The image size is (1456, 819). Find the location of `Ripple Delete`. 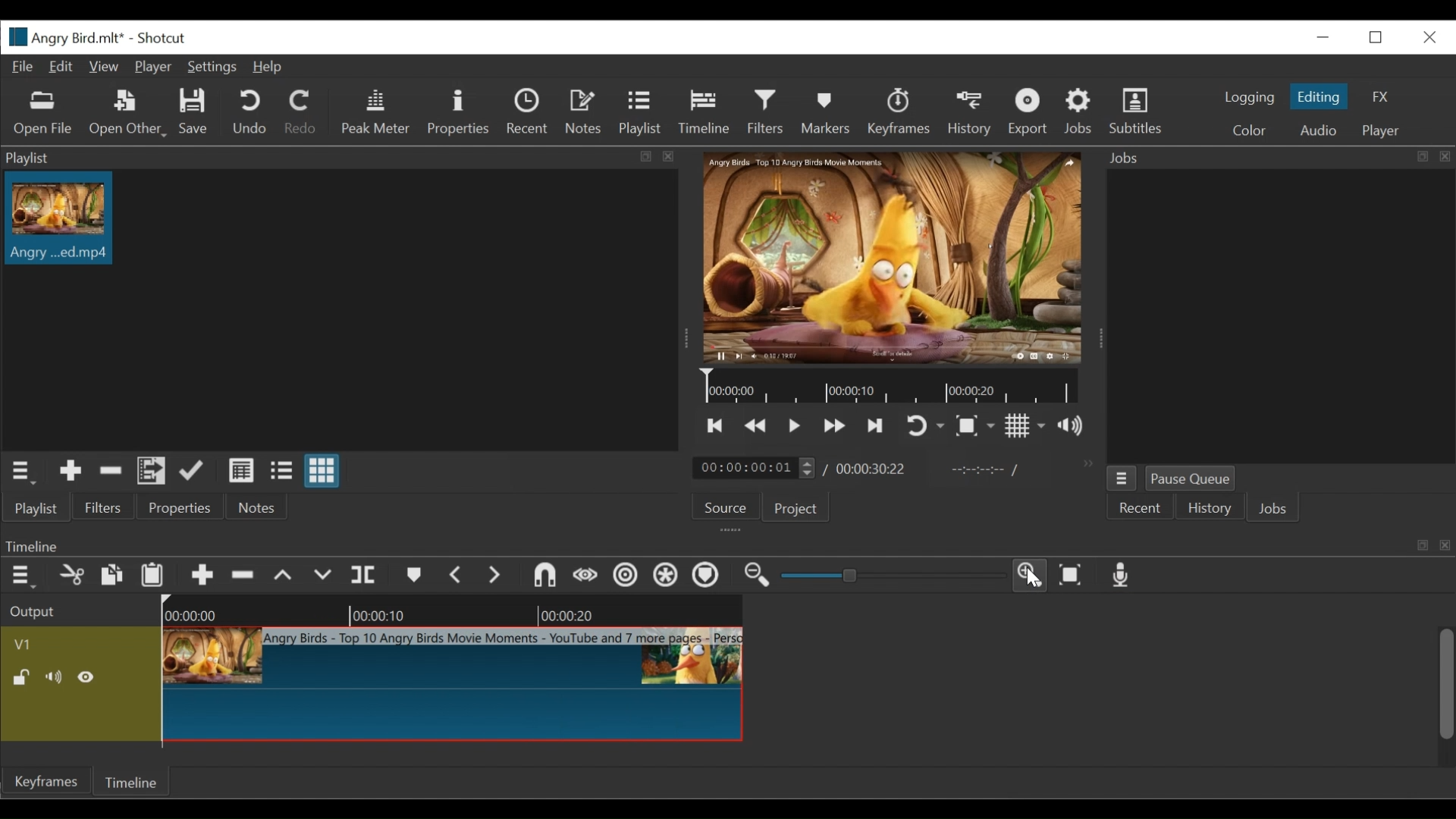

Ripple Delete is located at coordinates (243, 576).